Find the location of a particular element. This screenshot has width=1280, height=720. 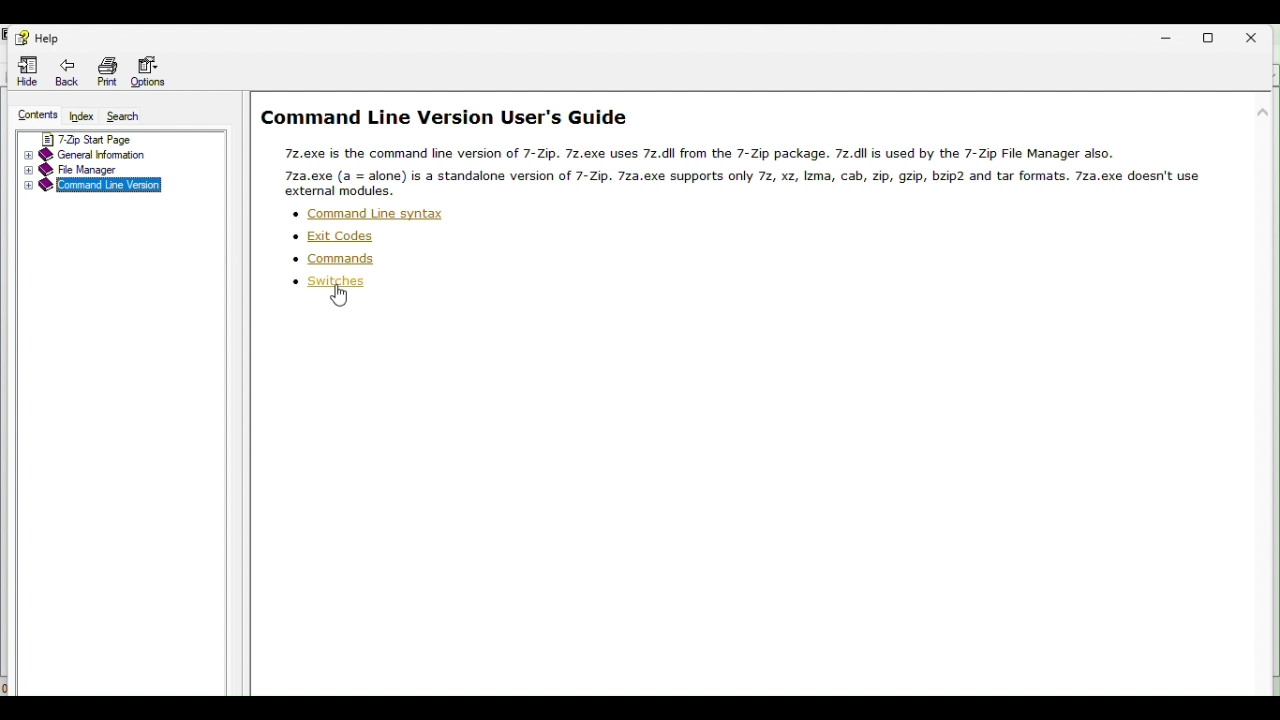

cursor is located at coordinates (340, 298).